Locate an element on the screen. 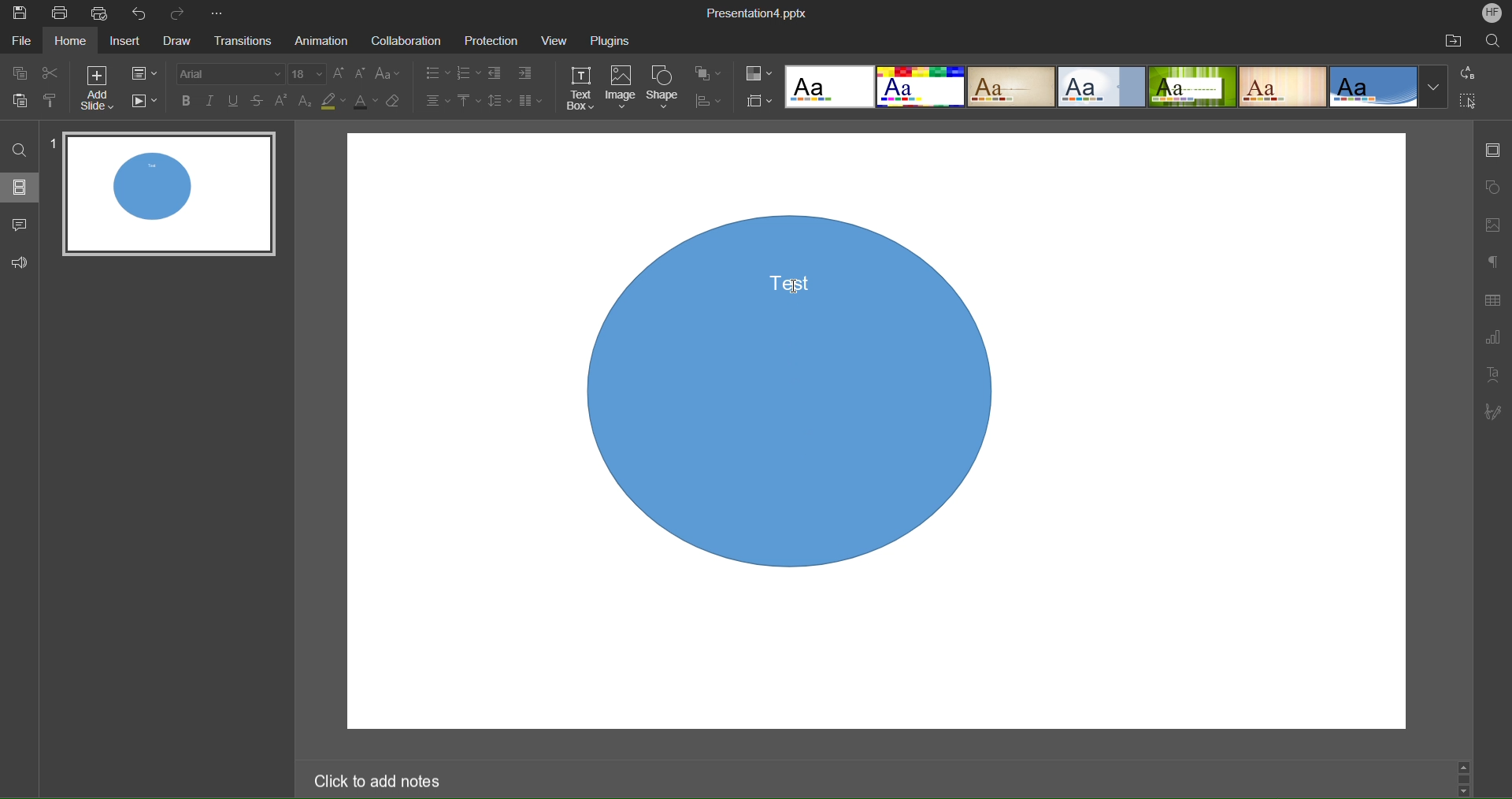 This screenshot has width=1512, height=799. Distribute is located at coordinates (710, 99).